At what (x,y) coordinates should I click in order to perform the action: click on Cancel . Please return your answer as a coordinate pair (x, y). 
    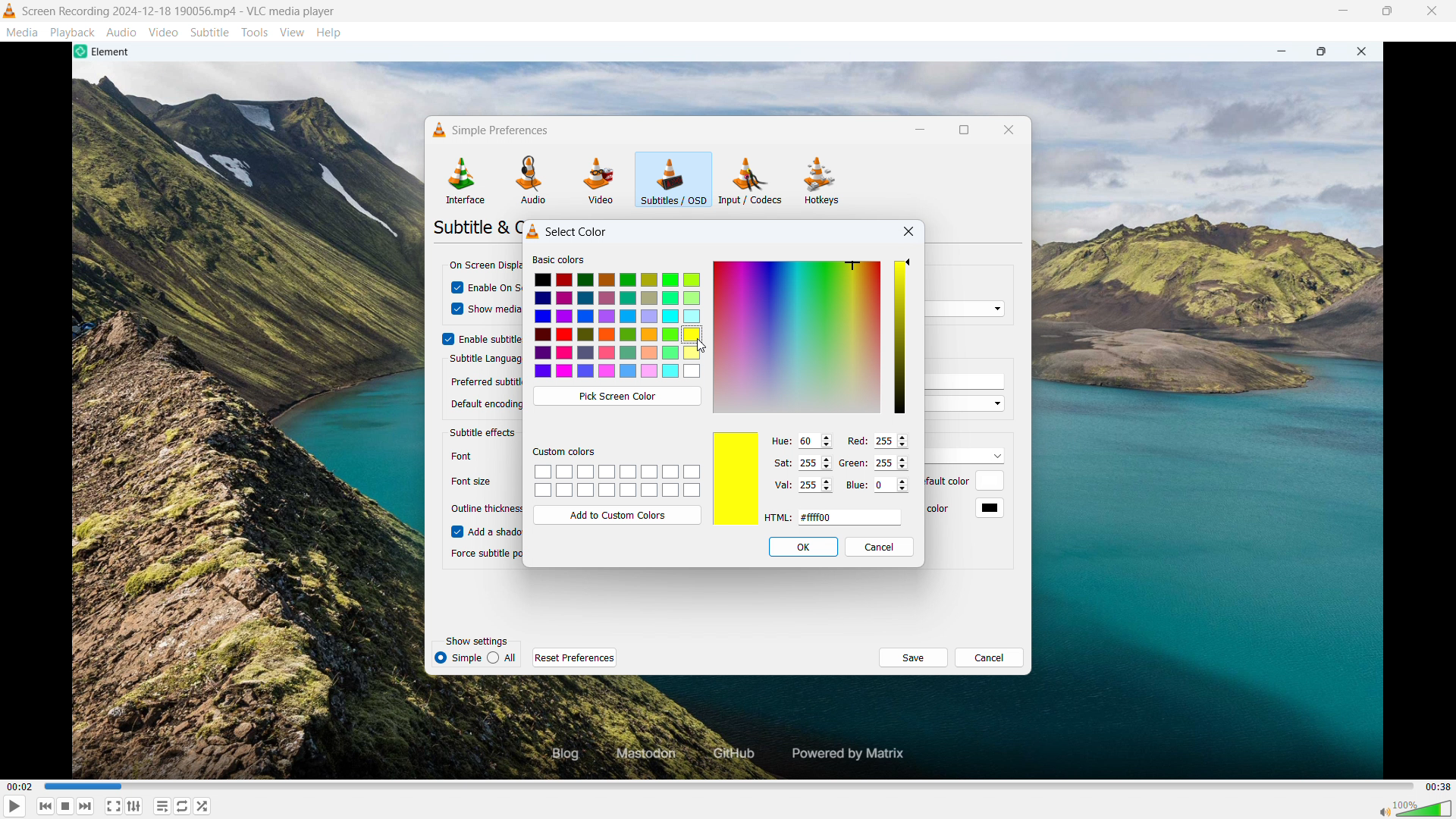
    Looking at the image, I should click on (989, 657).